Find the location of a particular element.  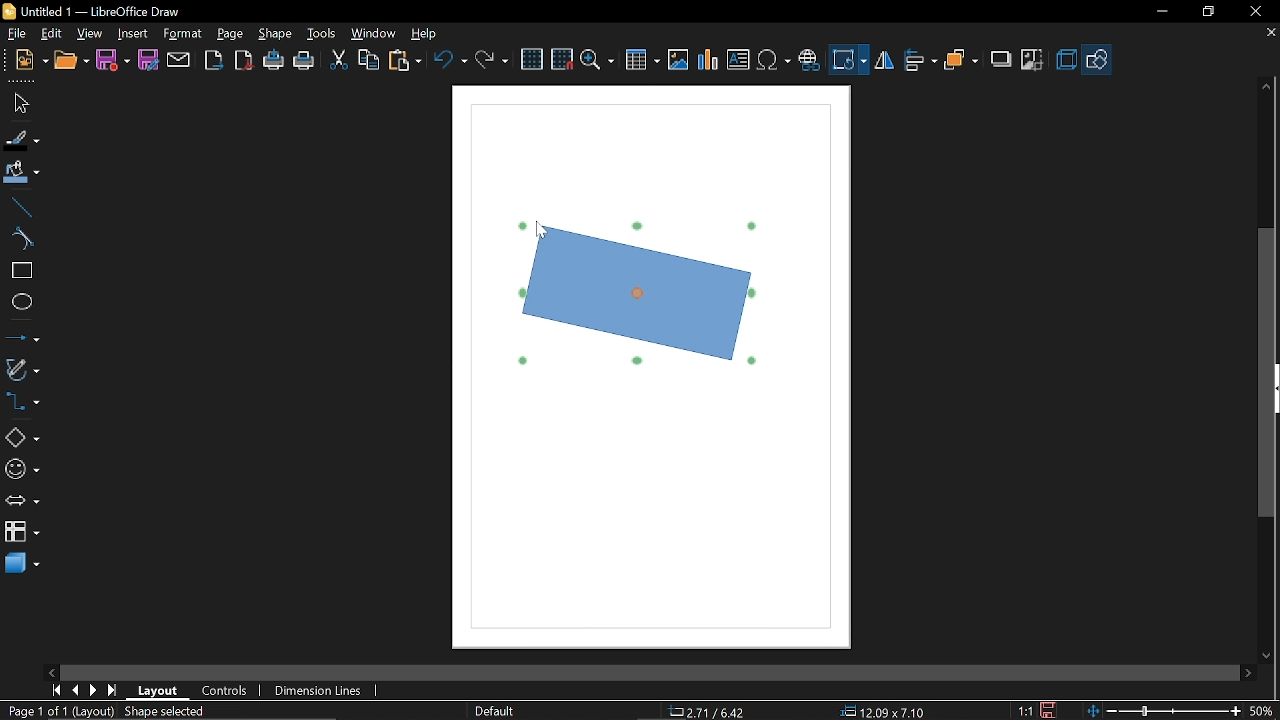

insert text is located at coordinates (738, 61).